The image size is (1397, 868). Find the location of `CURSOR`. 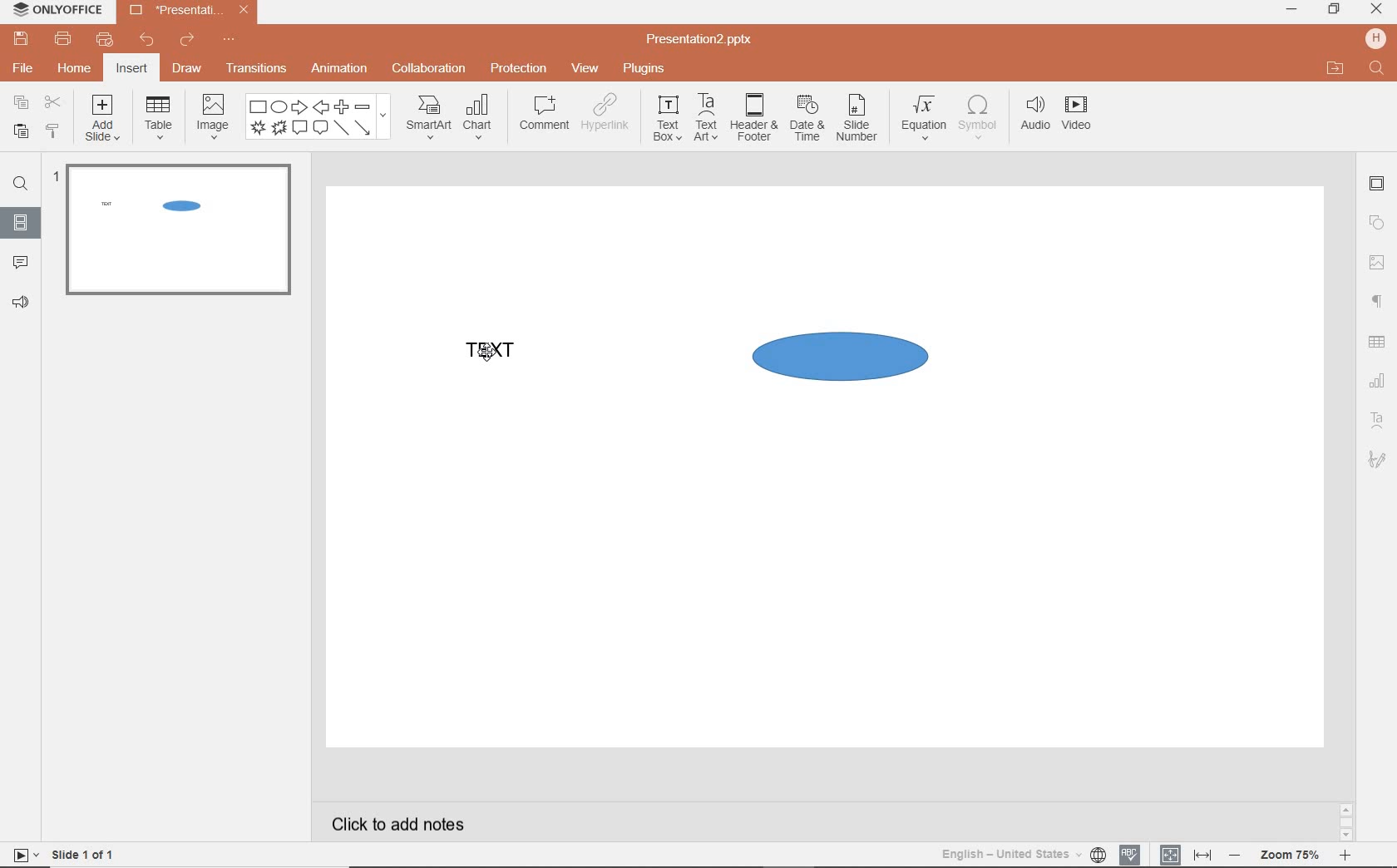

CURSOR is located at coordinates (488, 350).